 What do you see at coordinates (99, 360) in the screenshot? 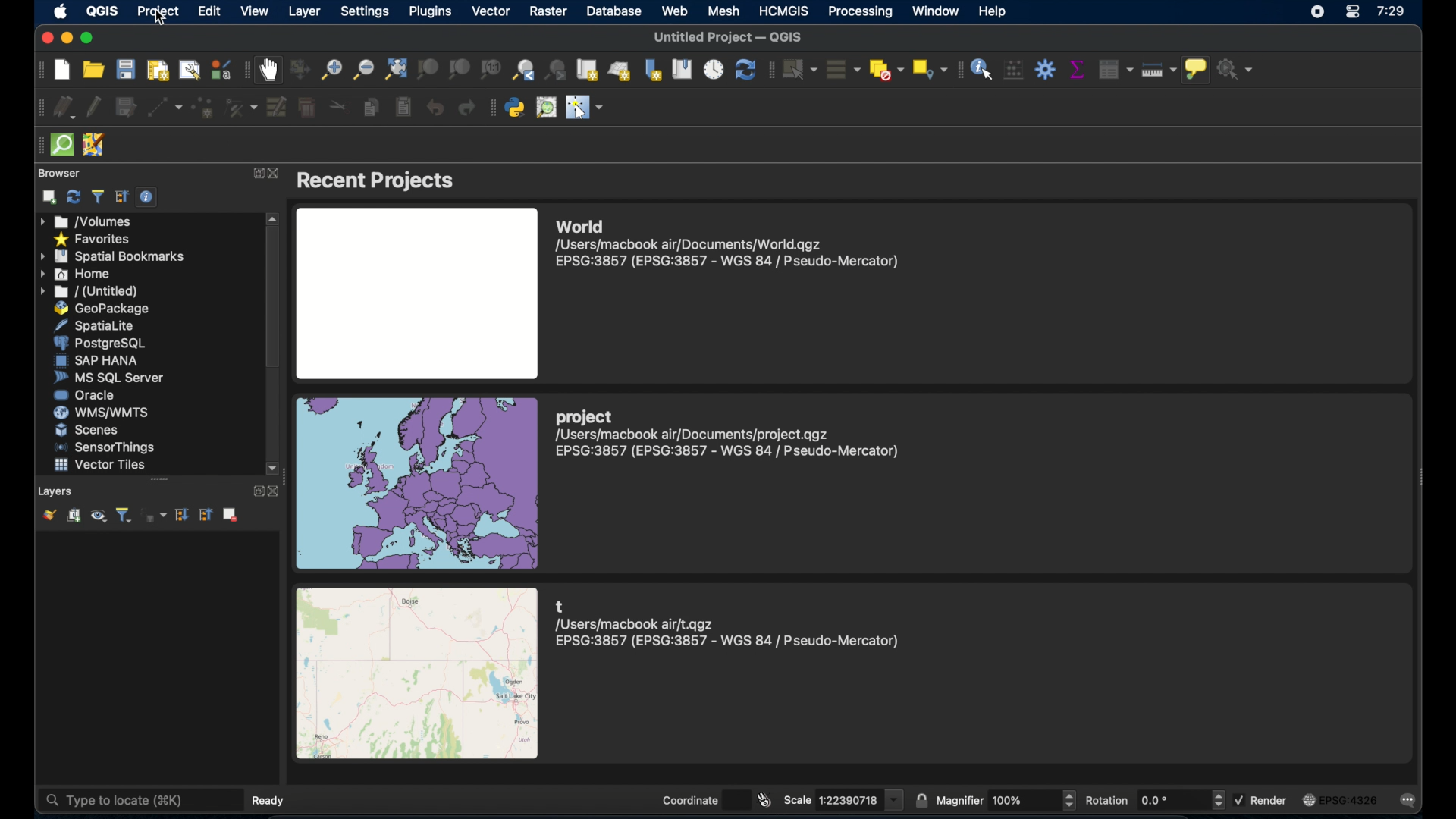
I see `sap hana` at bounding box center [99, 360].